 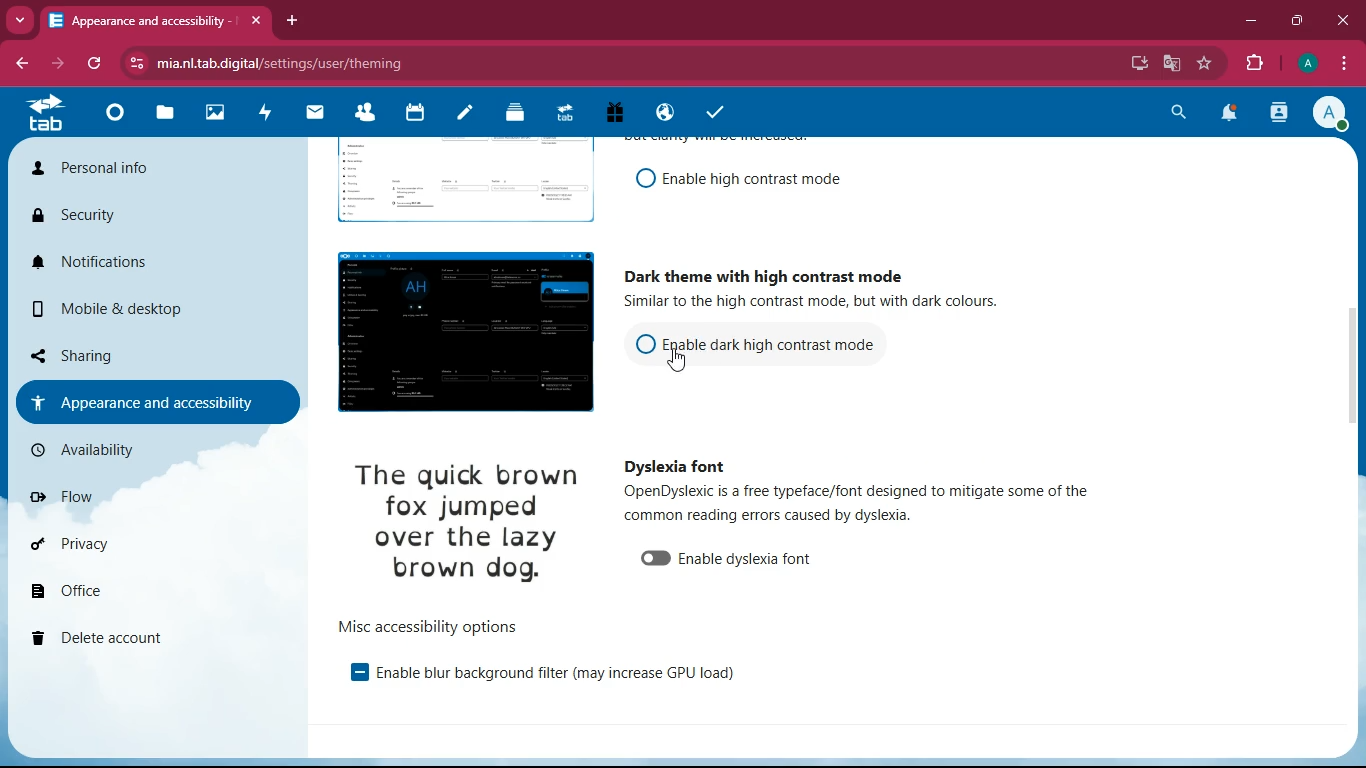 I want to click on delete, so click(x=117, y=635).